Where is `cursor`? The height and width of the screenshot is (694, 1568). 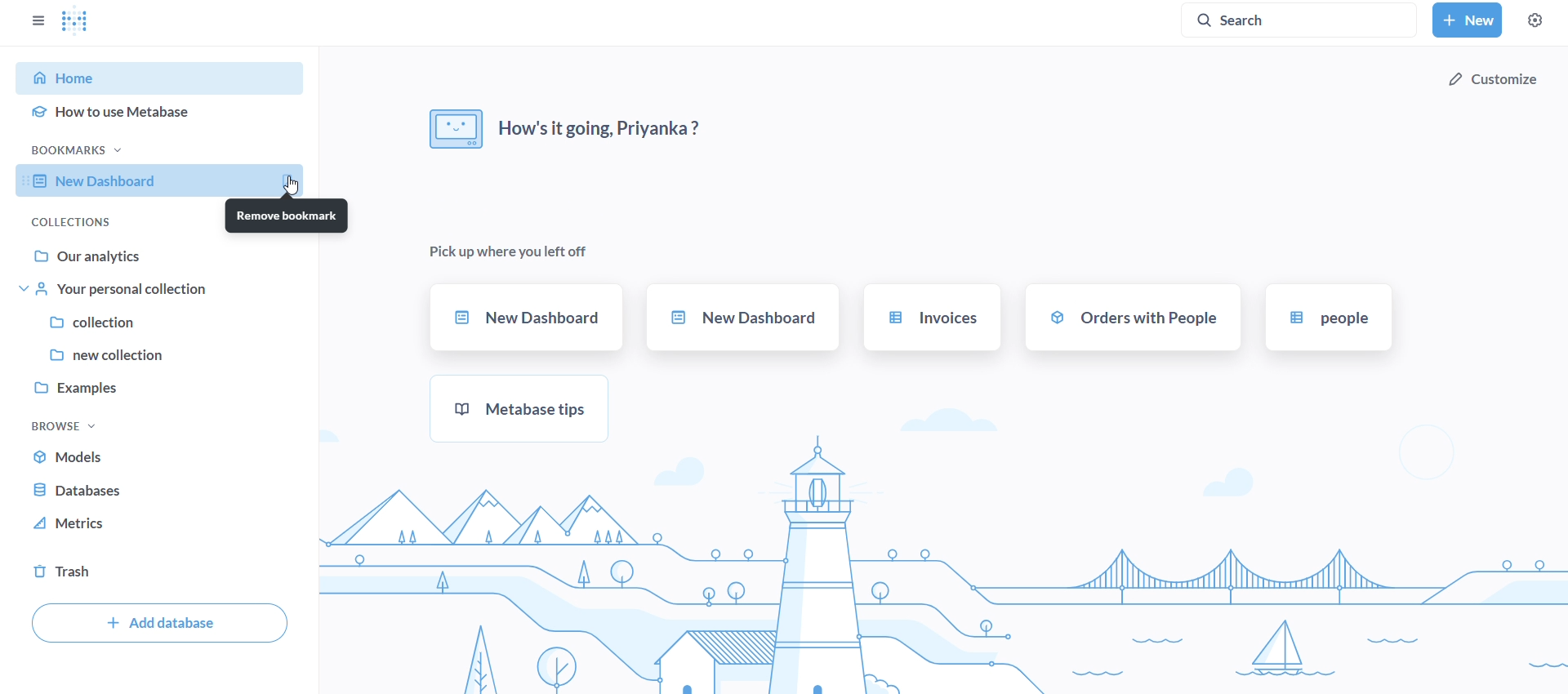 cursor is located at coordinates (296, 185).